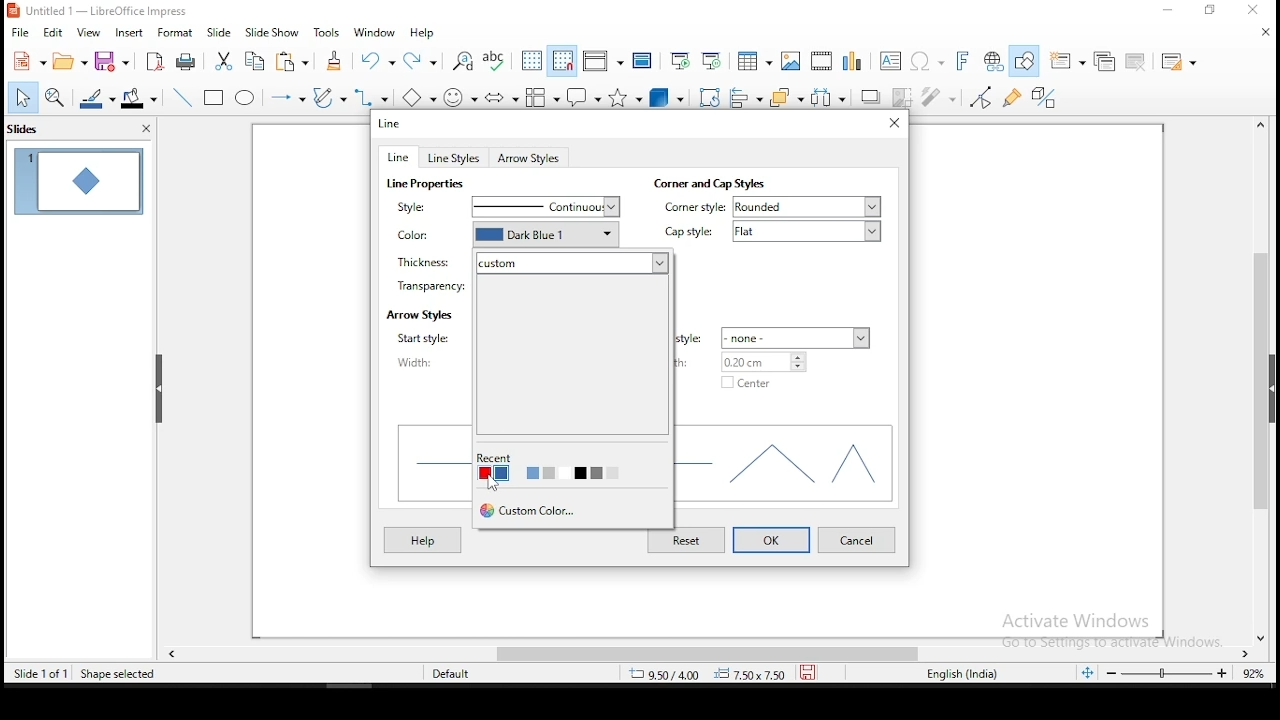 This screenshot has width=1280, height=720. Describe the element at coordinates (329, 98) in the screenshot. I see `curves and polygons` at that location.